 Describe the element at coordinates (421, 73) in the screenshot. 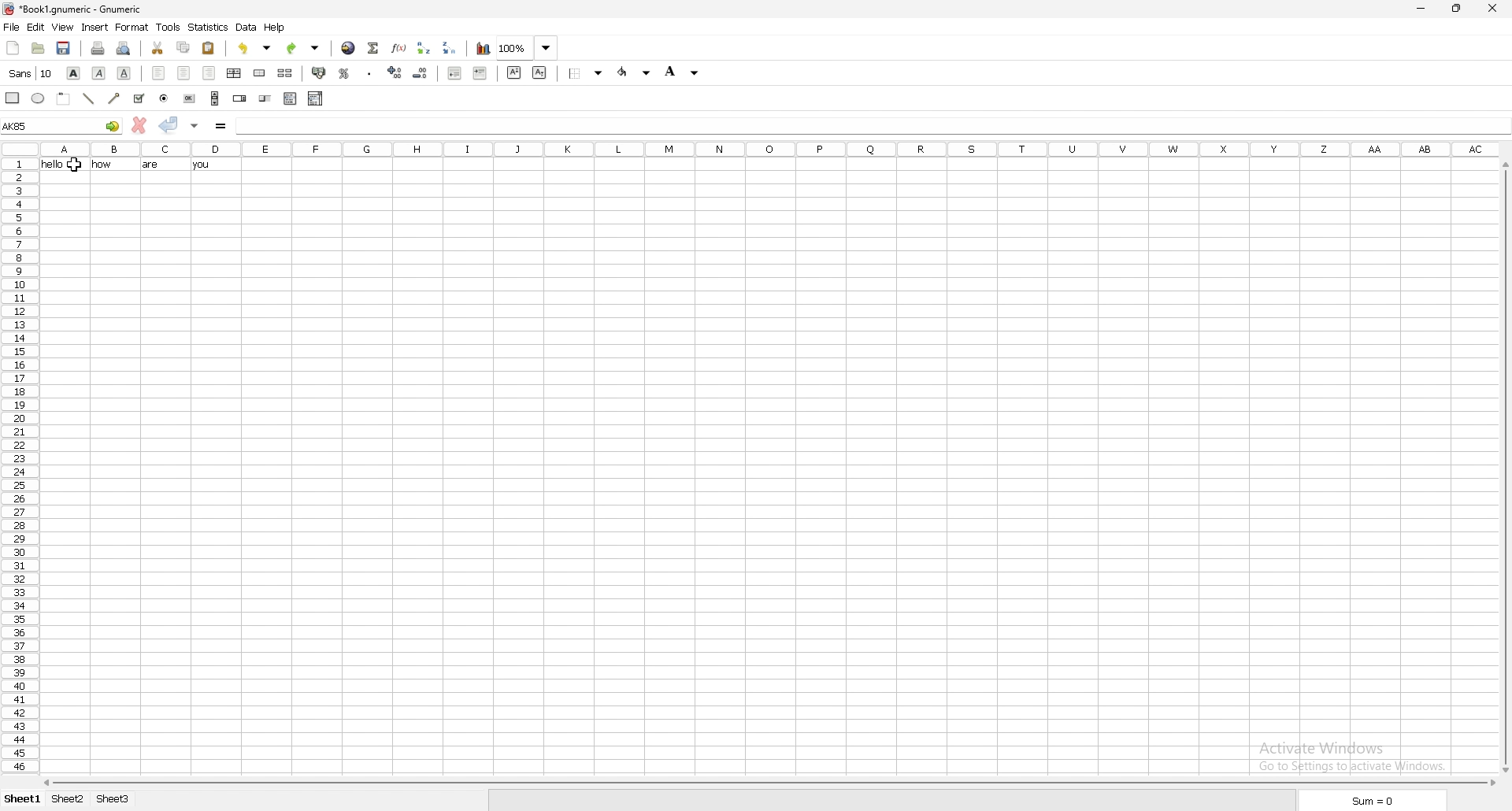

I see `decrease decimal` at that location.